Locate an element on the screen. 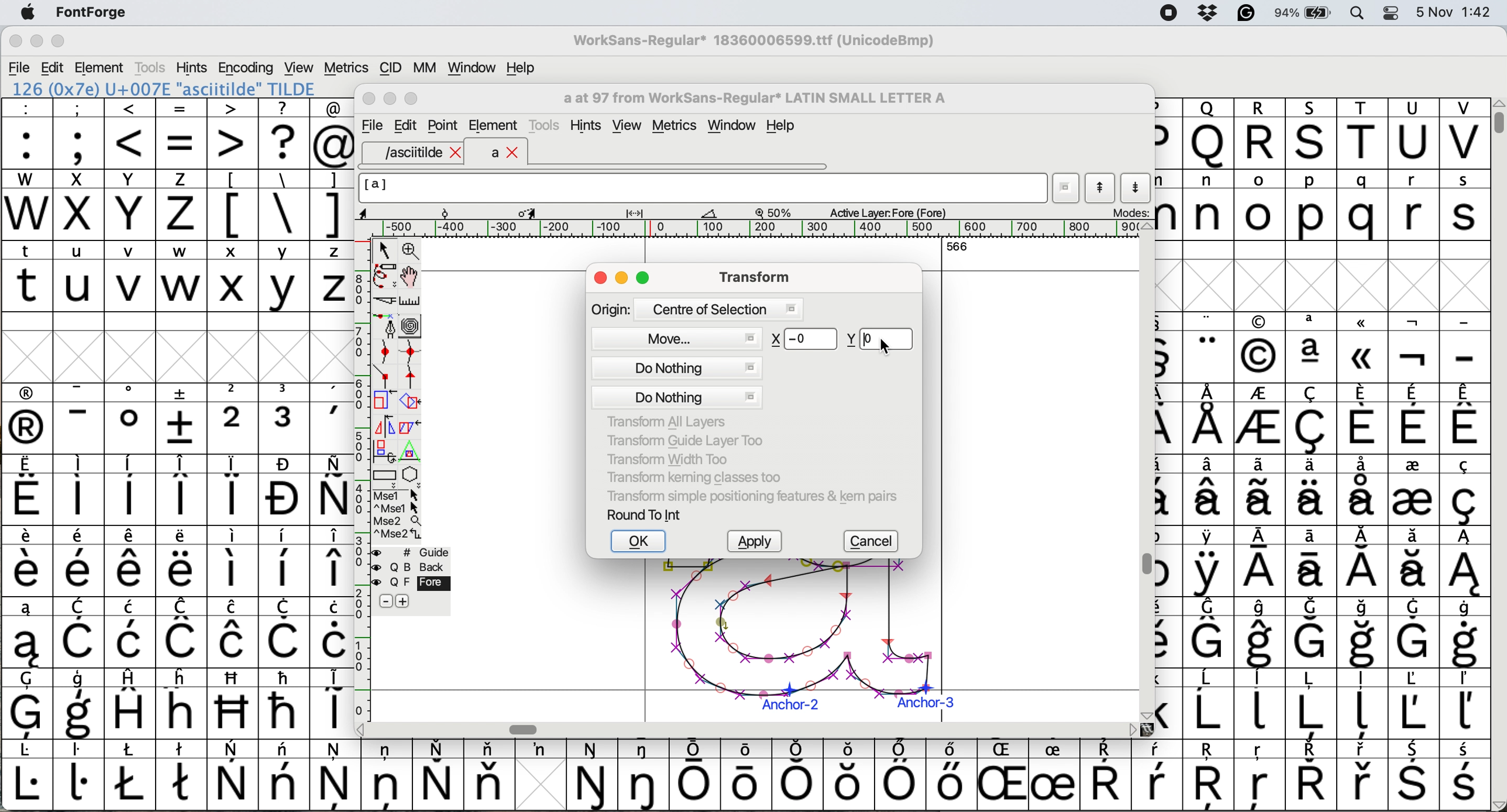  symbol is located at coordinates (234, 490).